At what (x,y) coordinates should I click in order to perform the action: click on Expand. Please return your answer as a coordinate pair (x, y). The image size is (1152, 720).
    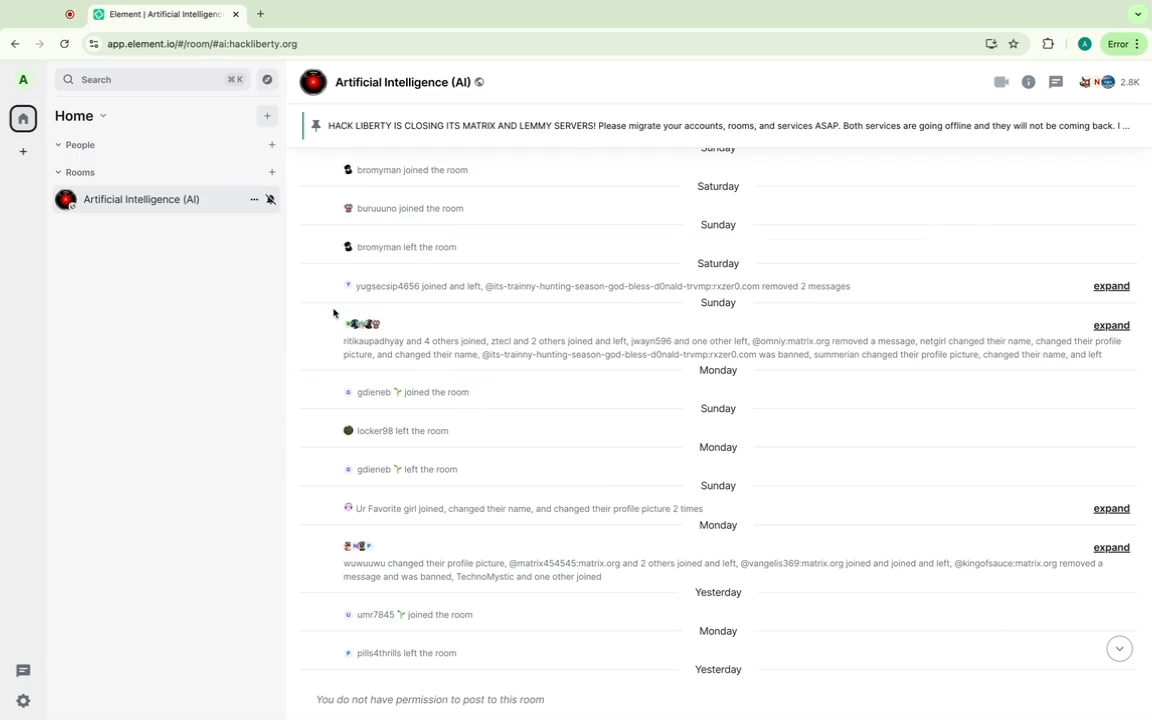
    Looking at the image, I should click on (1113, 326).